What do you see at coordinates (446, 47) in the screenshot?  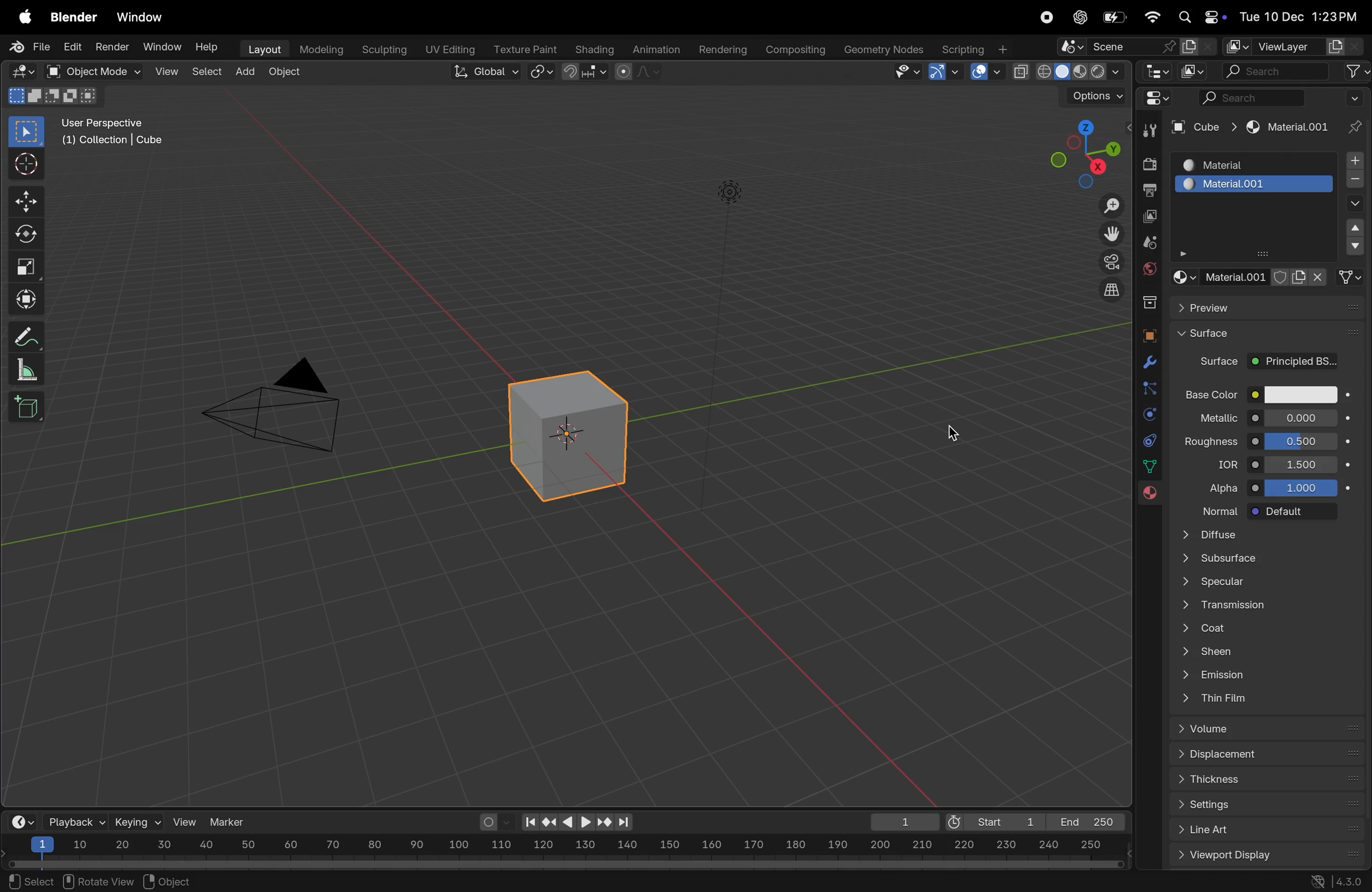 I see `Uv editing` at bounding box center [446, 47].